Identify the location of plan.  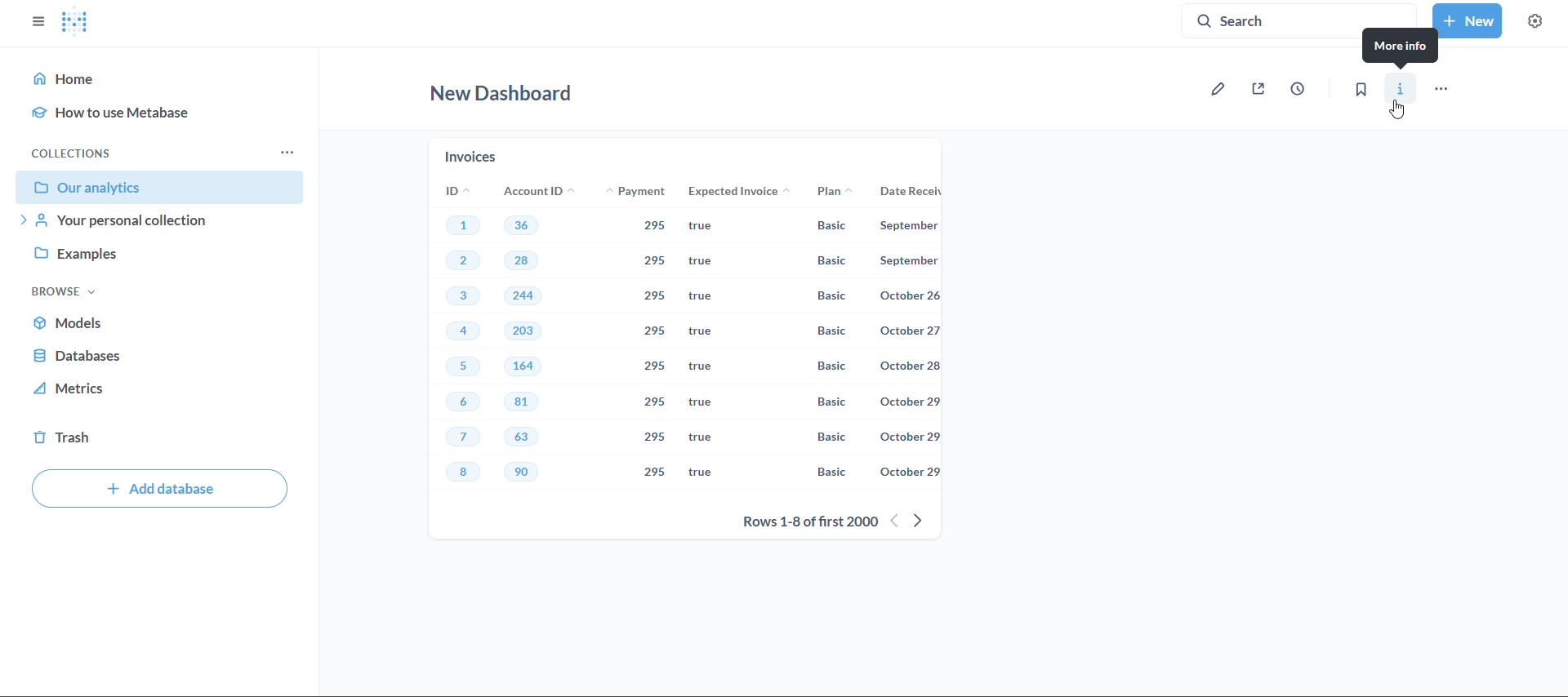
(831, 193).